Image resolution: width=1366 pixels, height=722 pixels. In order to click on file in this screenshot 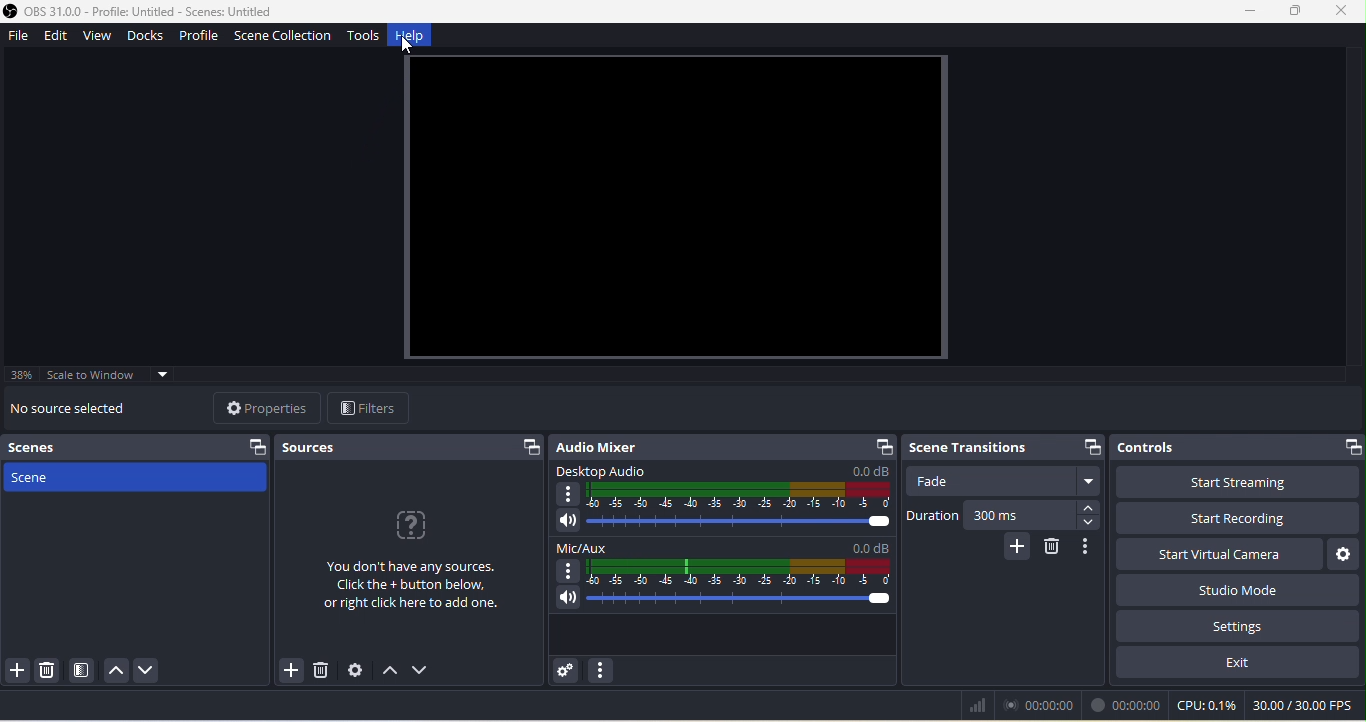, I will do `click(20, 37)`.